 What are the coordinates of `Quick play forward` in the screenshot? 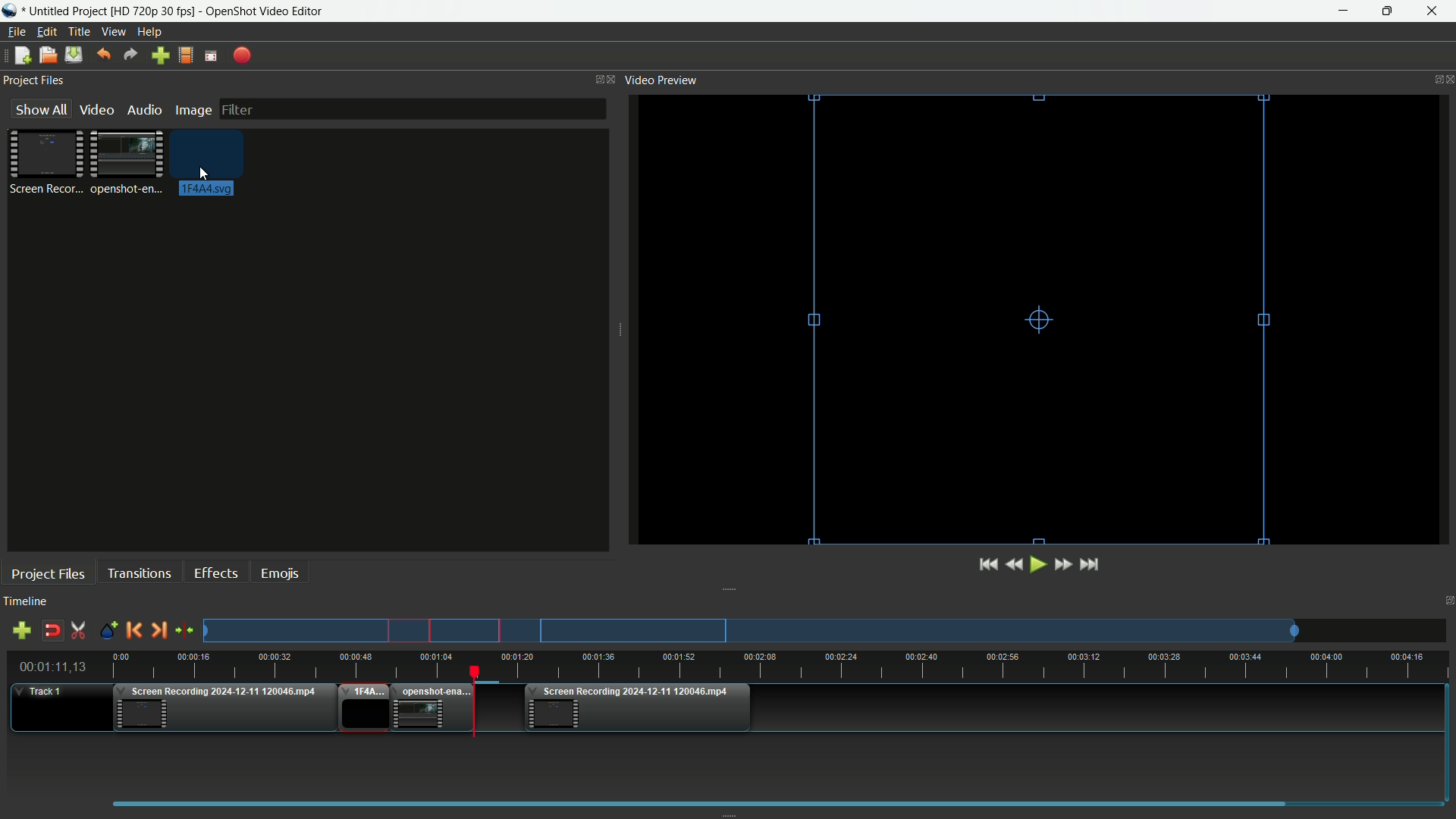 It's located at (1062, 564).